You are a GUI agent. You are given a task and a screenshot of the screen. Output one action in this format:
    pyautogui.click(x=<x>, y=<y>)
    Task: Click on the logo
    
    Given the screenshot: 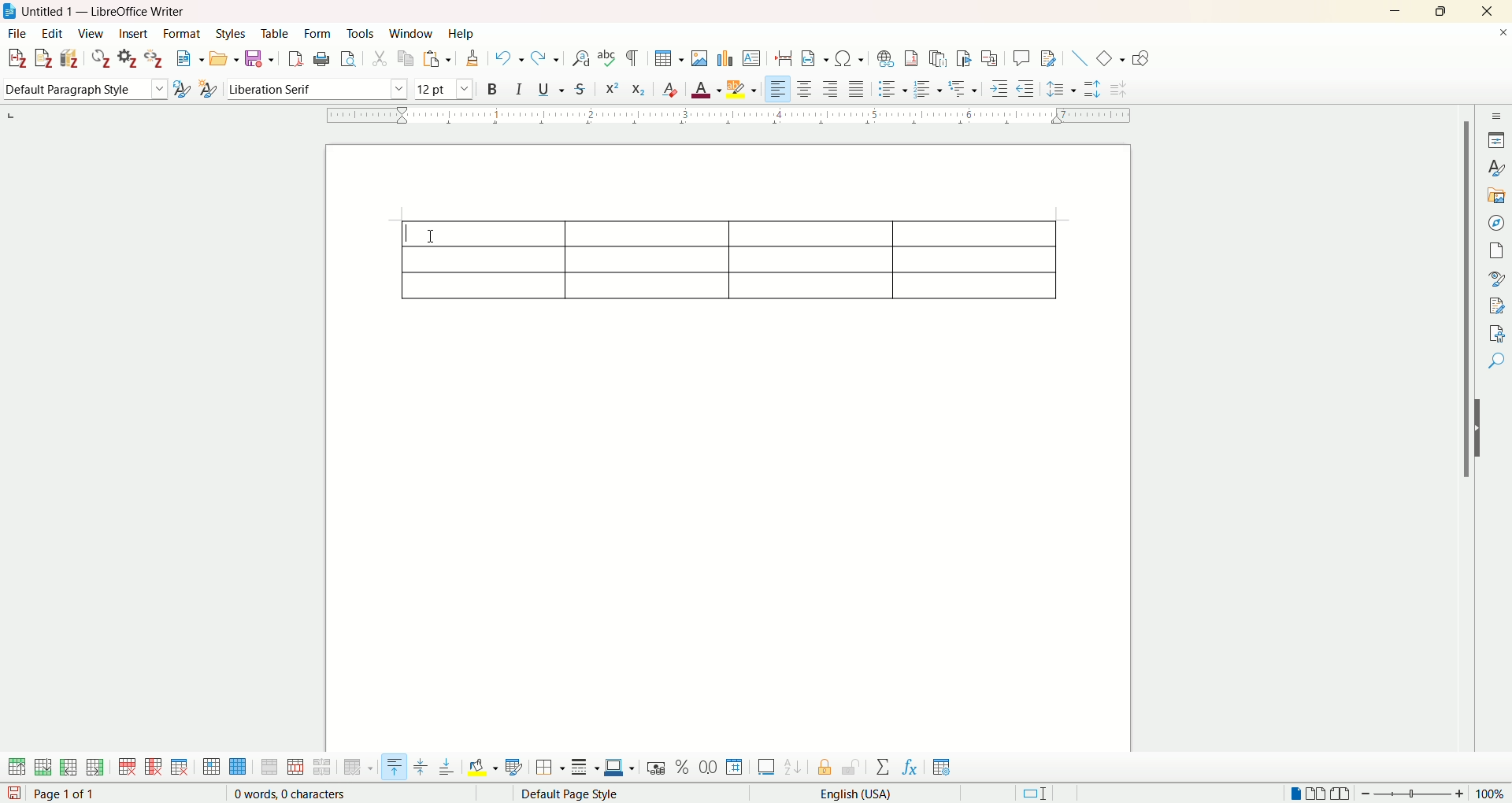 What is the action you would take?
    pyautogui.click(x=9, y=10)
    